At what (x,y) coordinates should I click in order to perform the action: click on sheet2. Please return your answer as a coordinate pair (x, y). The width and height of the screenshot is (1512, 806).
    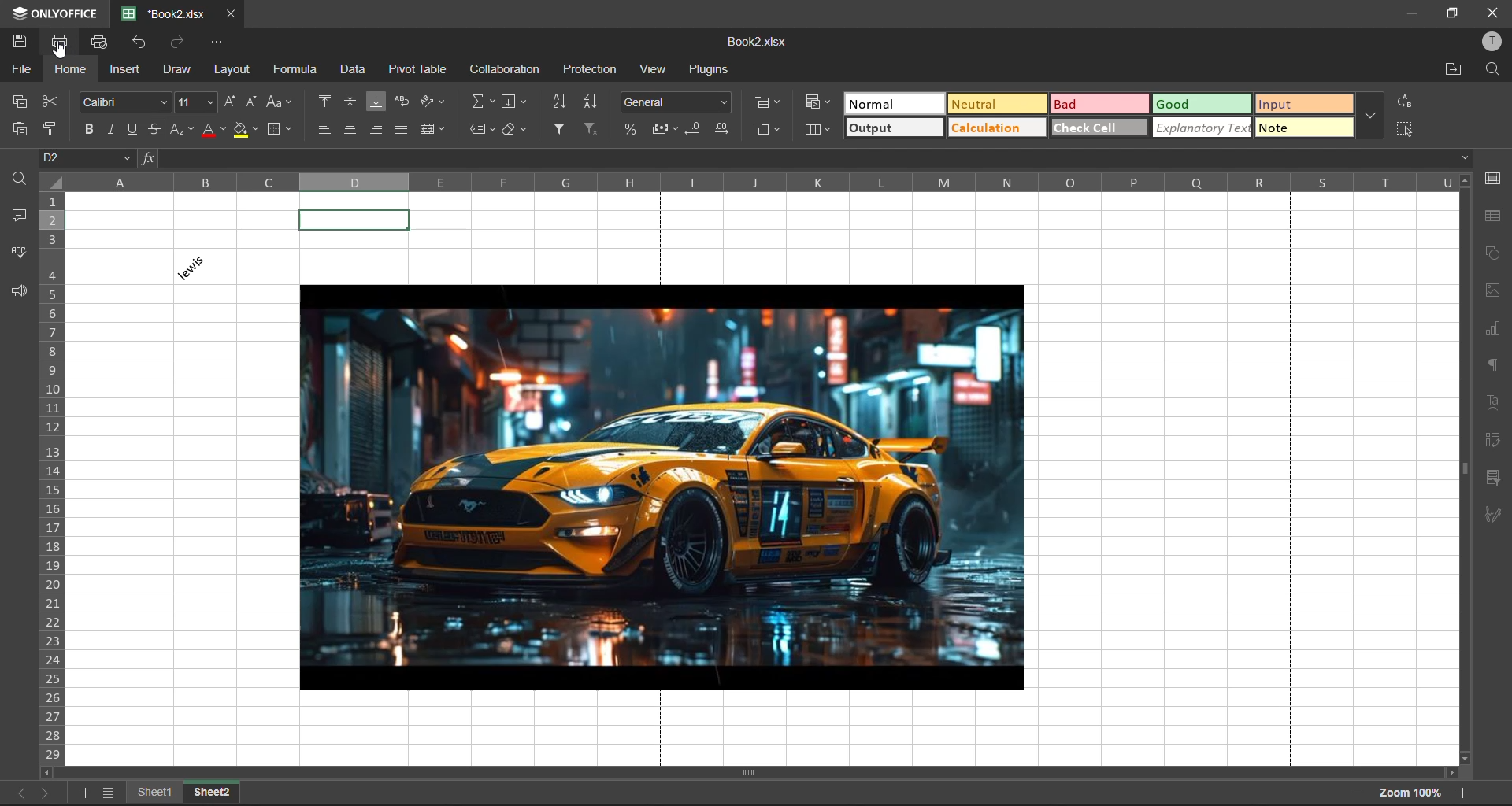
    Looking at the image, I should click on (213, 792).